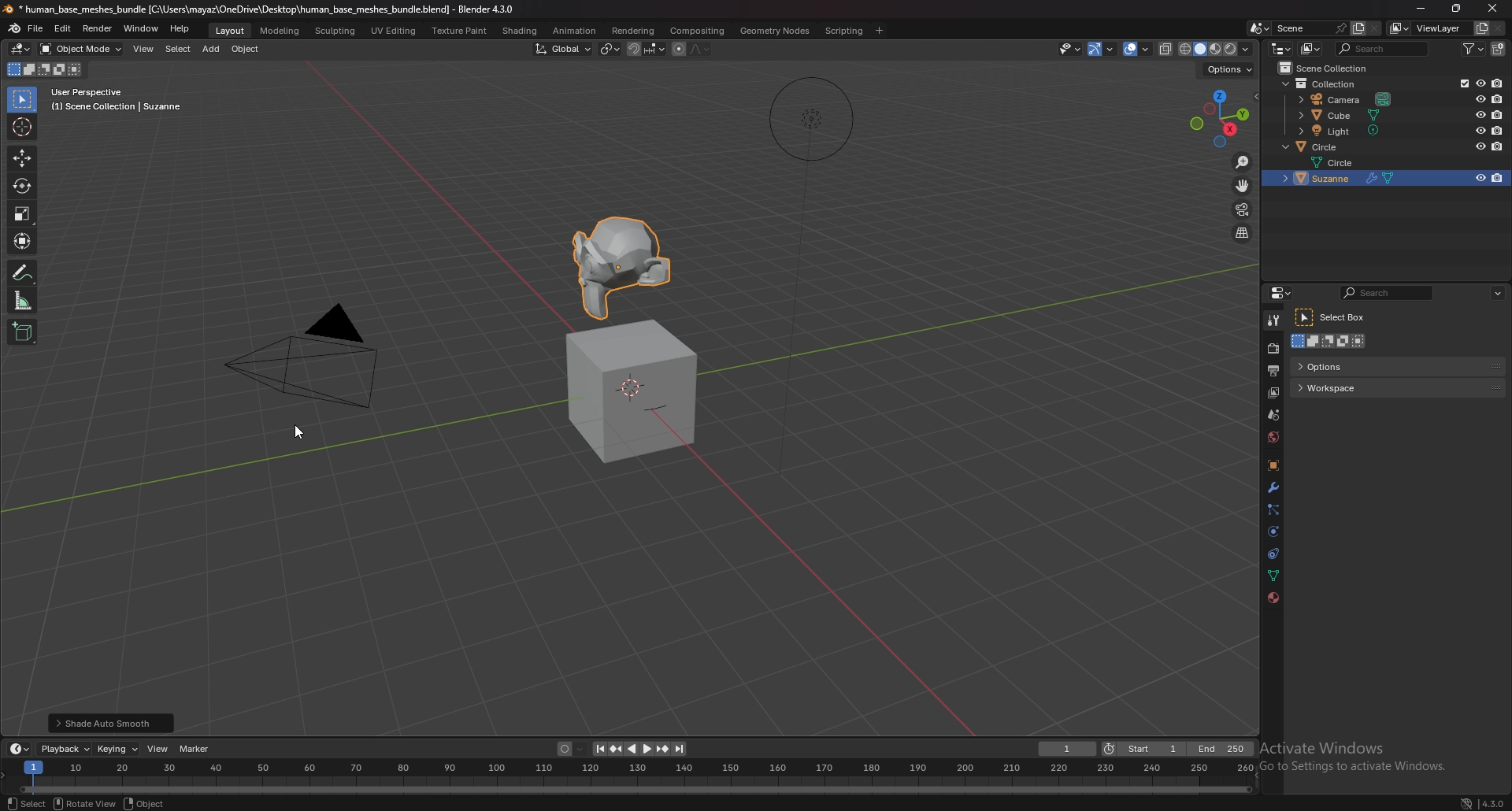 This screenshot has width=1512, height=811. I want to click on output, so click(1274, 371).